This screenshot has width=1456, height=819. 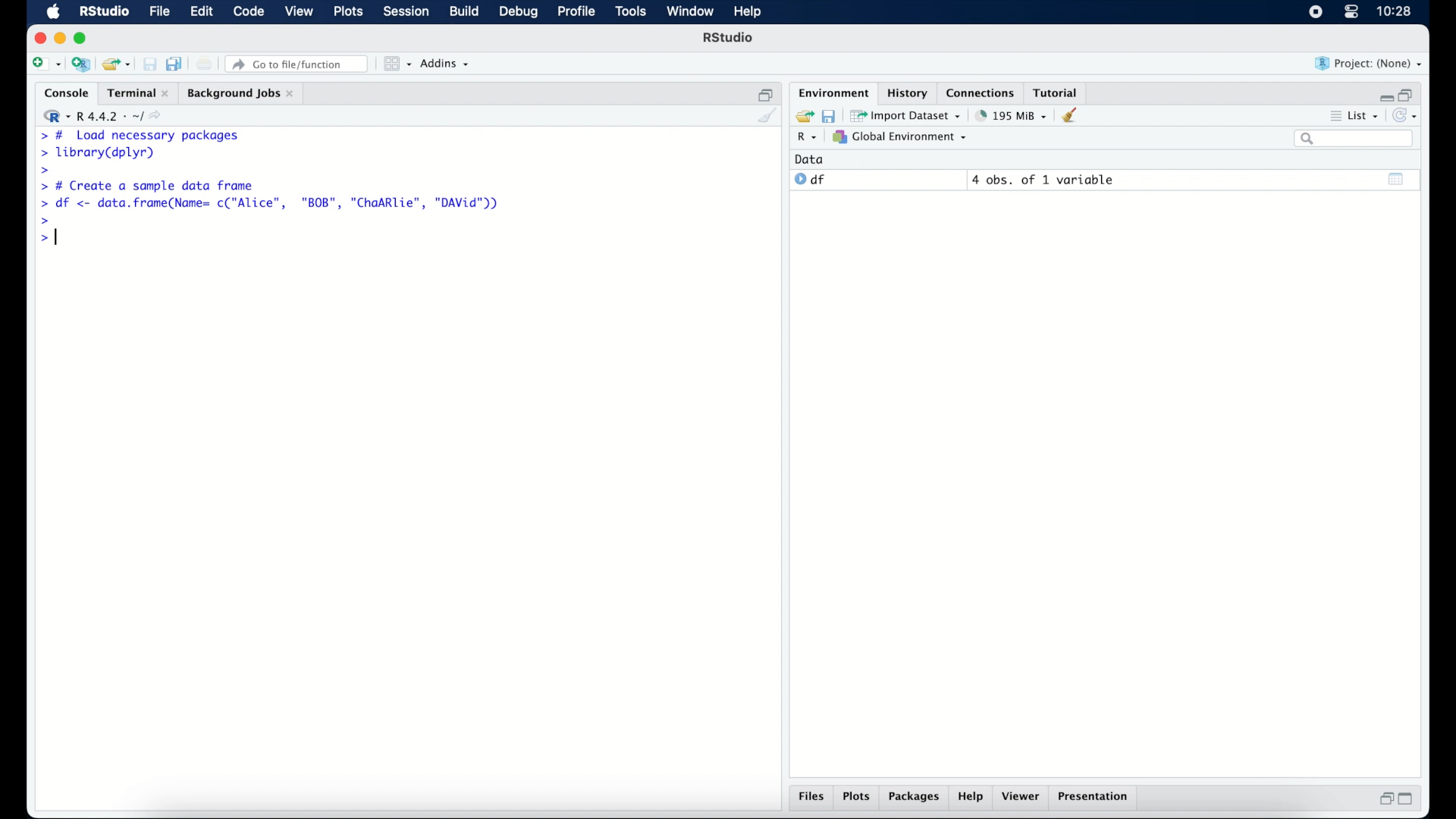 I want to click on debug, so click(x=519, y=13).